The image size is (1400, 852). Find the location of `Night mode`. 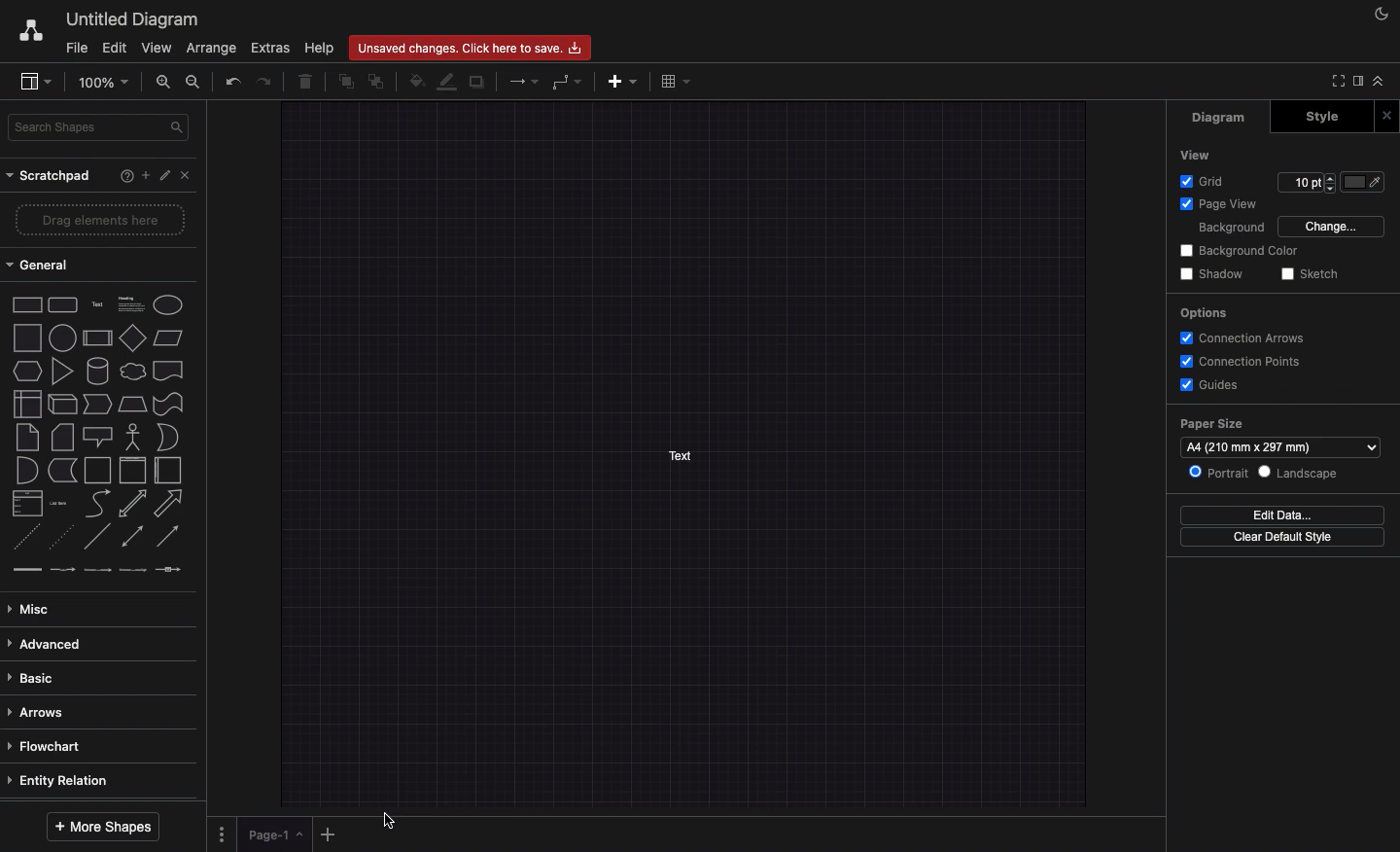

Night mode is located at coordinates (1378, 15).